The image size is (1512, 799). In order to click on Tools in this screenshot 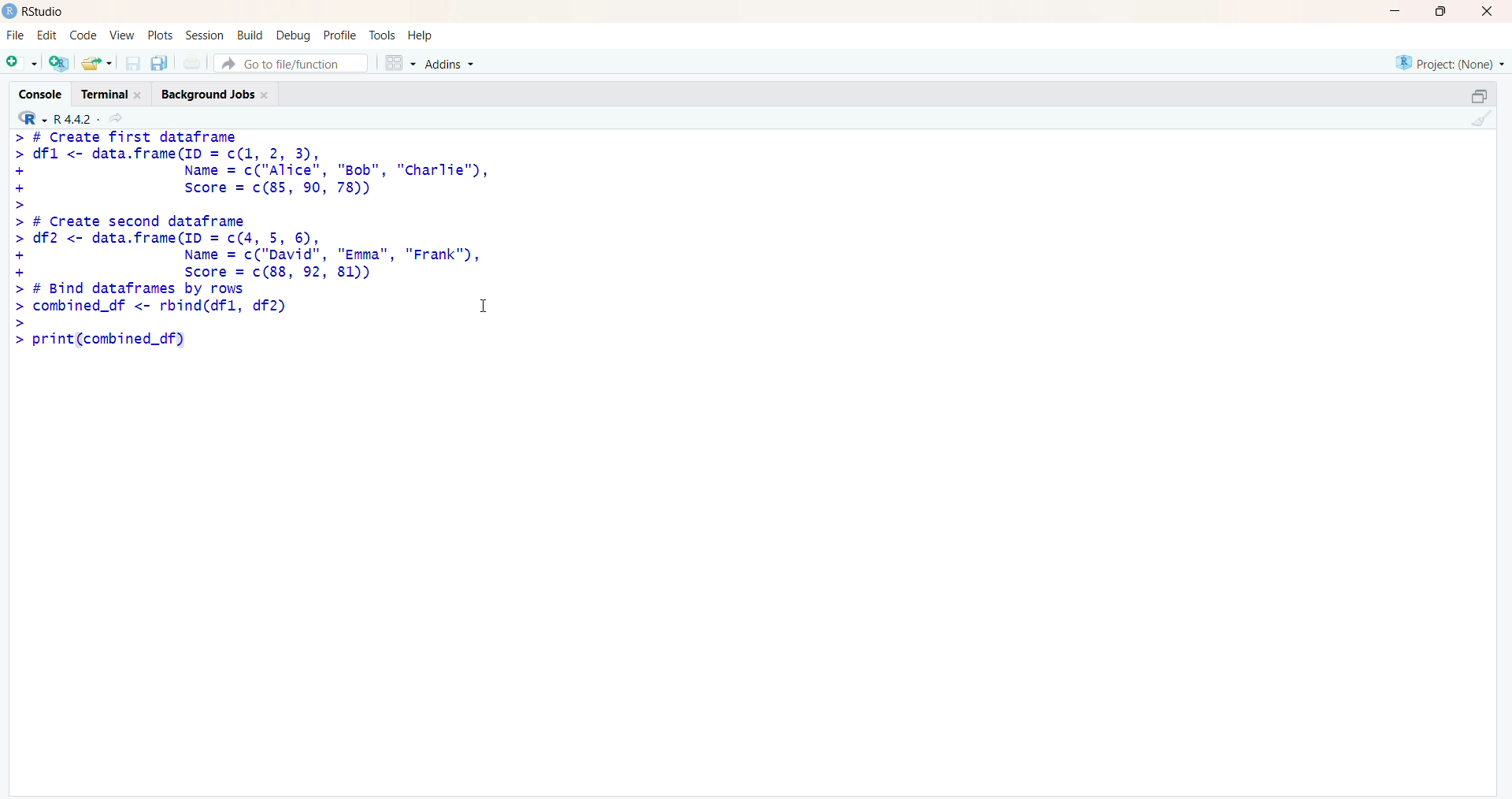, I will do `click(382, 35)`.